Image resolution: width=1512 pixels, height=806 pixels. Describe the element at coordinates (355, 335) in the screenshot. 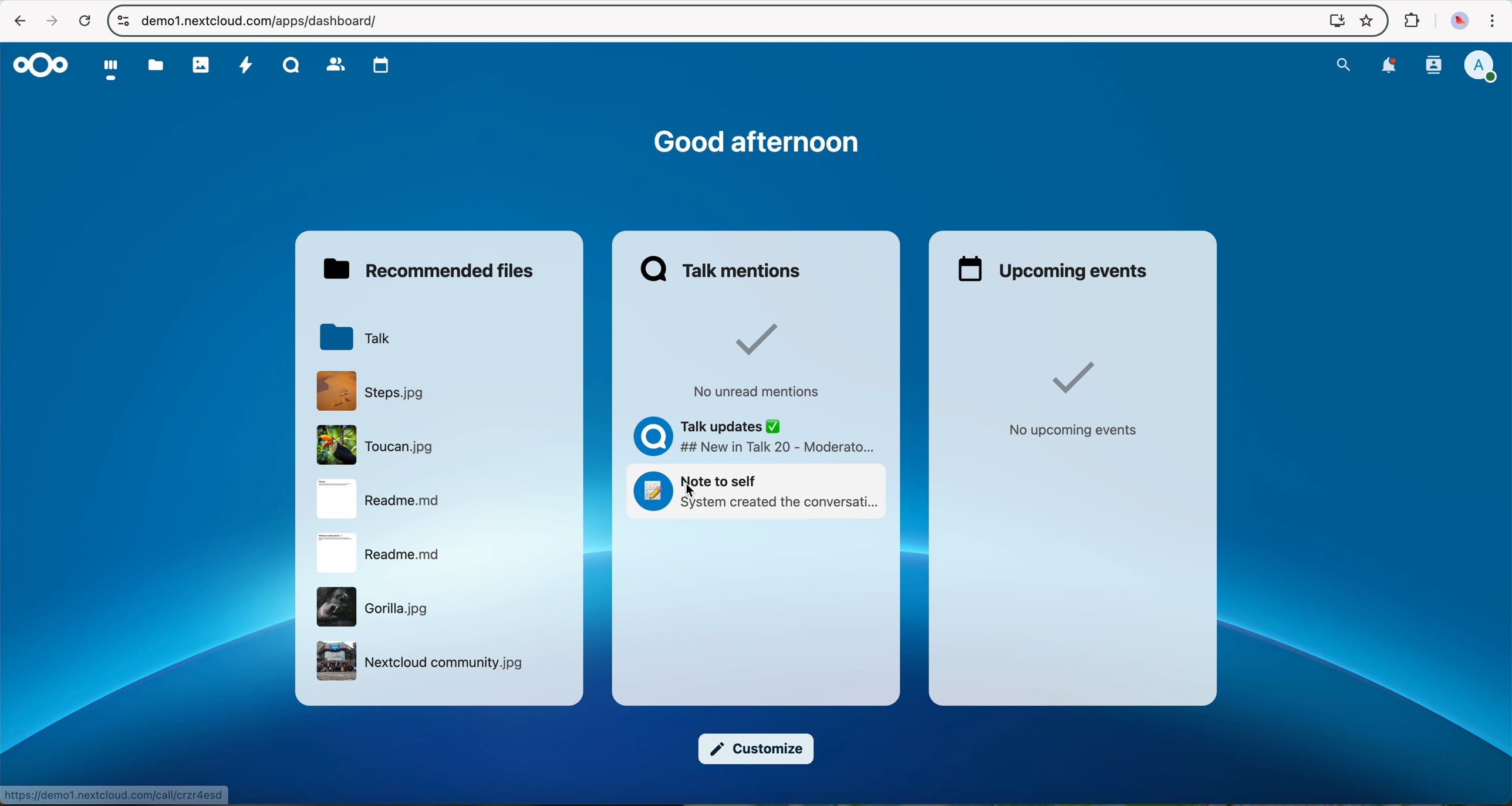

I see `Talk` at that location.